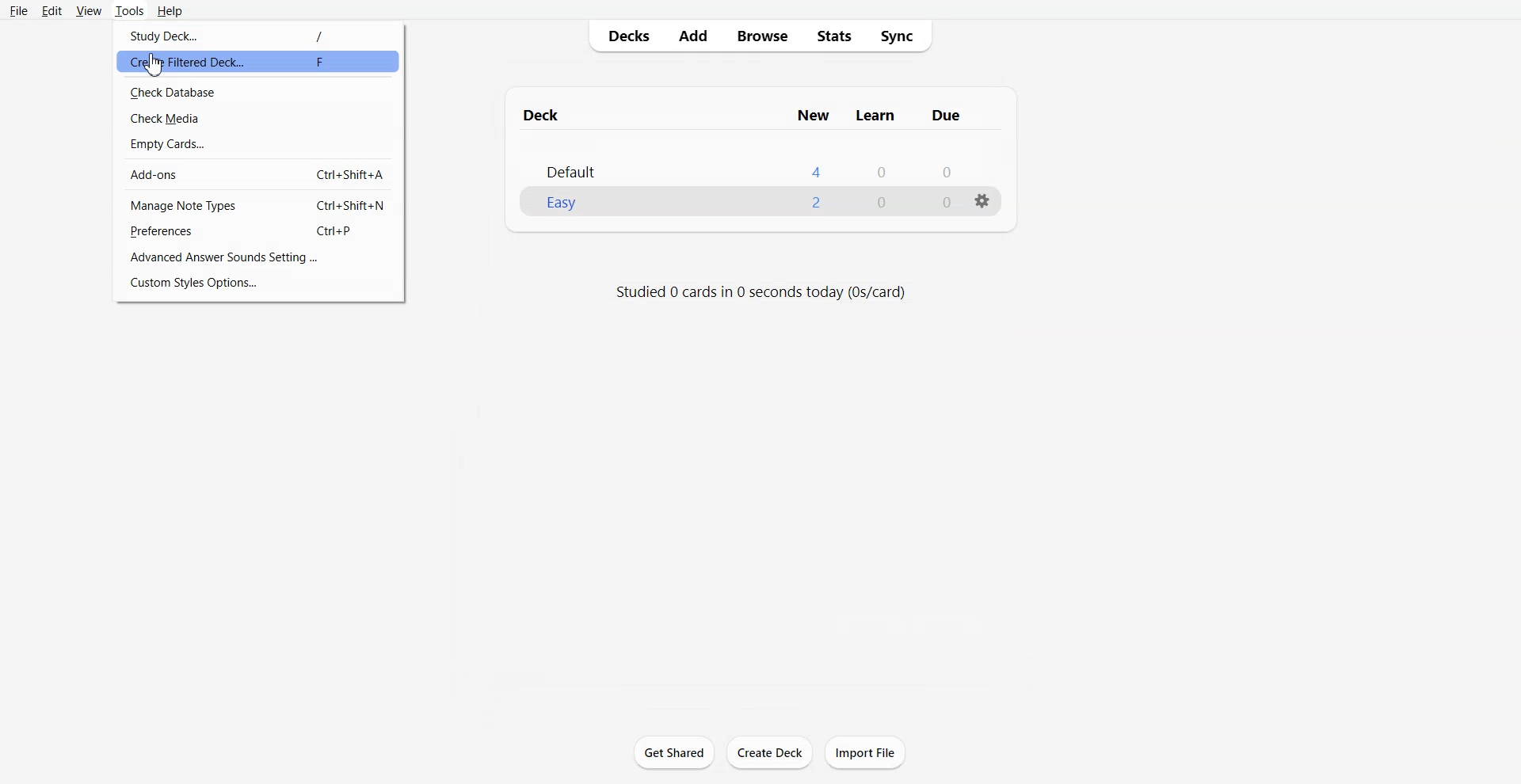 The height and width of the screenshot is (784, 1521). I want to click on Stats, so click(834, 36).